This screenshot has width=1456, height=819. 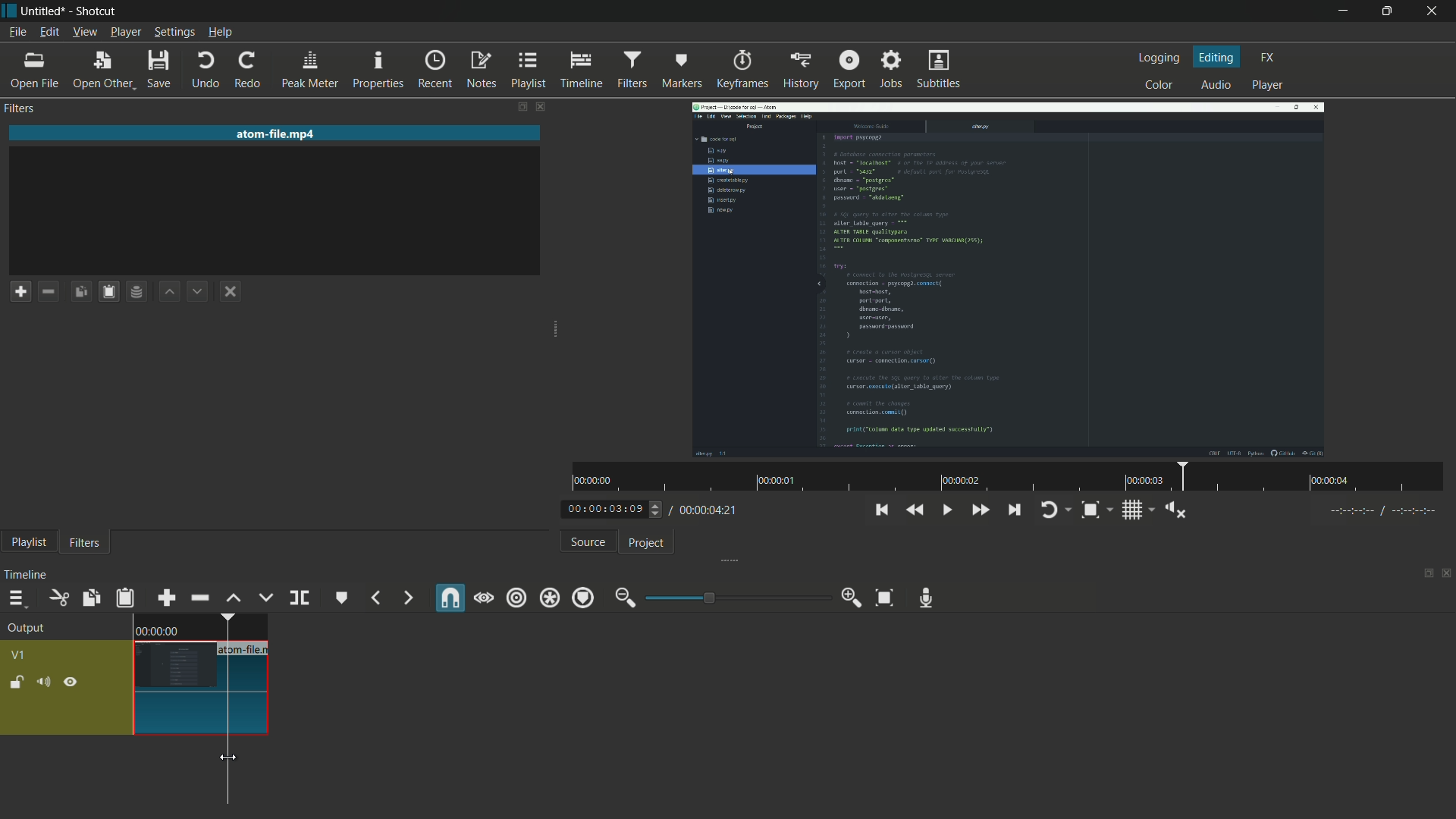 I want to click on cursor, so click(x=228, y=758).